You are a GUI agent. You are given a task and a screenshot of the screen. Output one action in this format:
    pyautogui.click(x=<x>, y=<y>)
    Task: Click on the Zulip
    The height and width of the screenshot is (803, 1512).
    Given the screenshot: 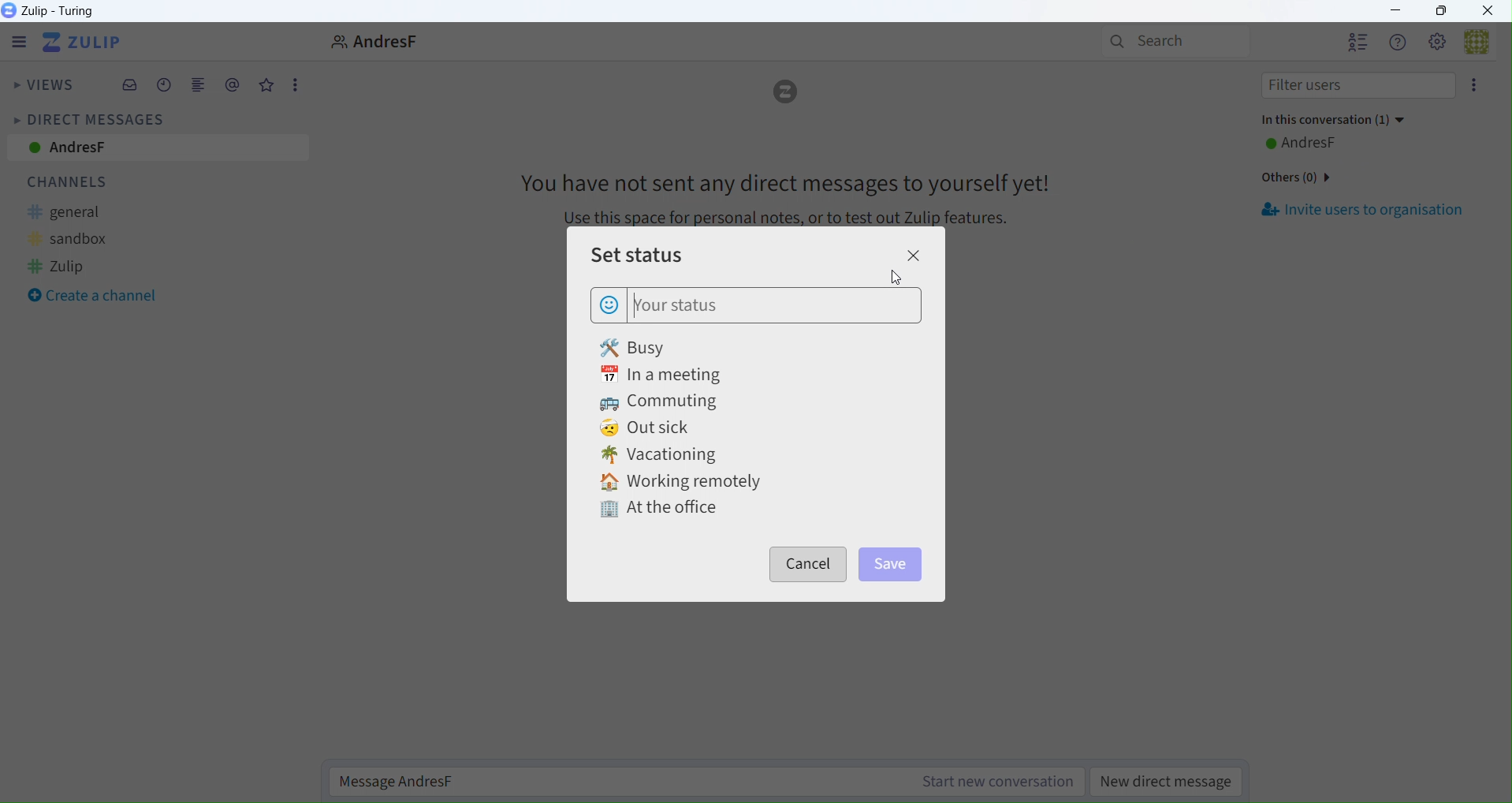 What is the action you would take?
    pyautogui.click(x=87, y=43)
    